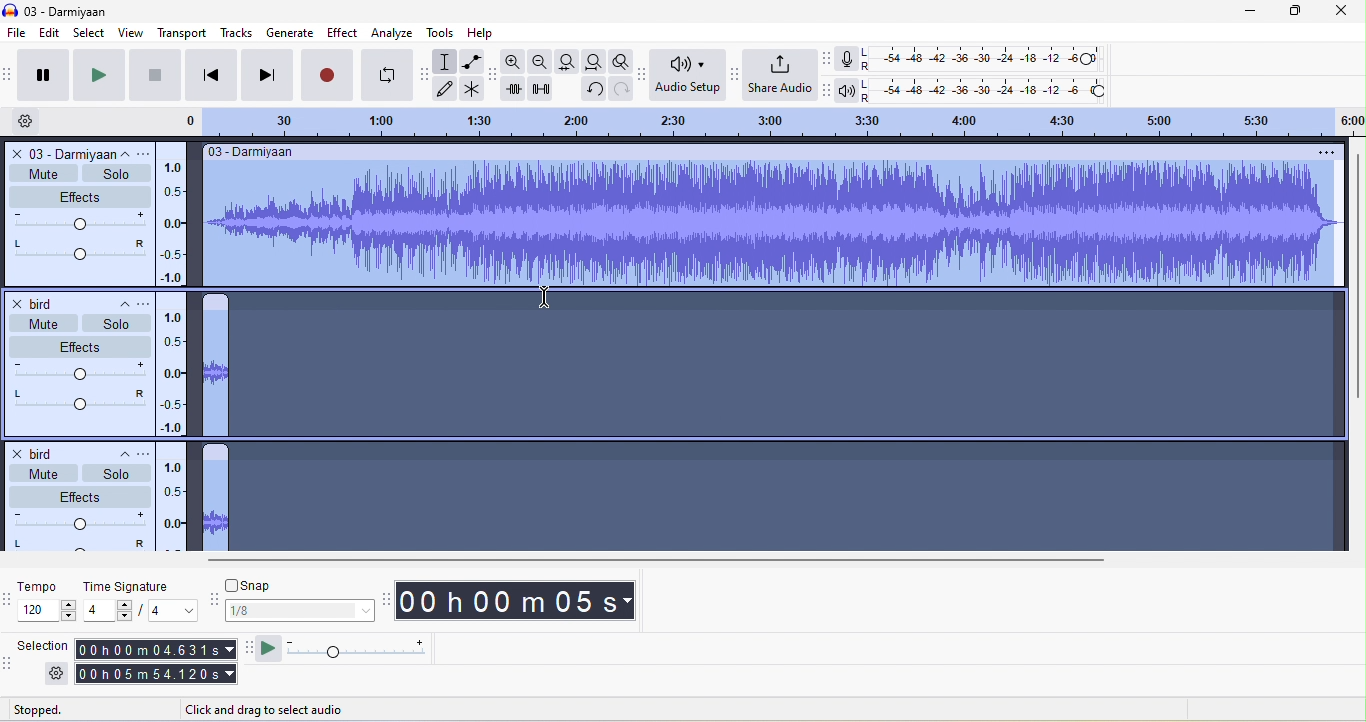 The height and width of the screenshot is (722, 1366). Describe the element at coordinates (388, 598) in the screenshot. I see `audacity time toolbar` at that location.